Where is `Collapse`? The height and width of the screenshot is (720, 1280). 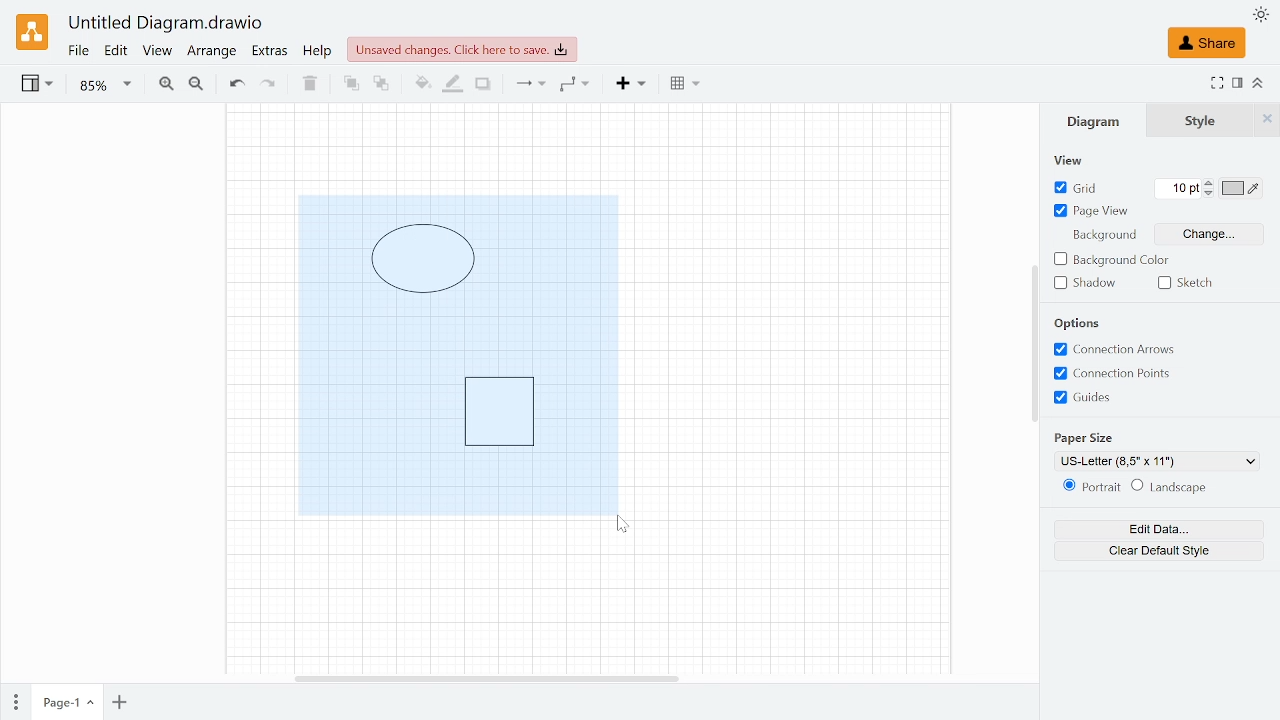
Collapse is located at coordinates (1259, 82).